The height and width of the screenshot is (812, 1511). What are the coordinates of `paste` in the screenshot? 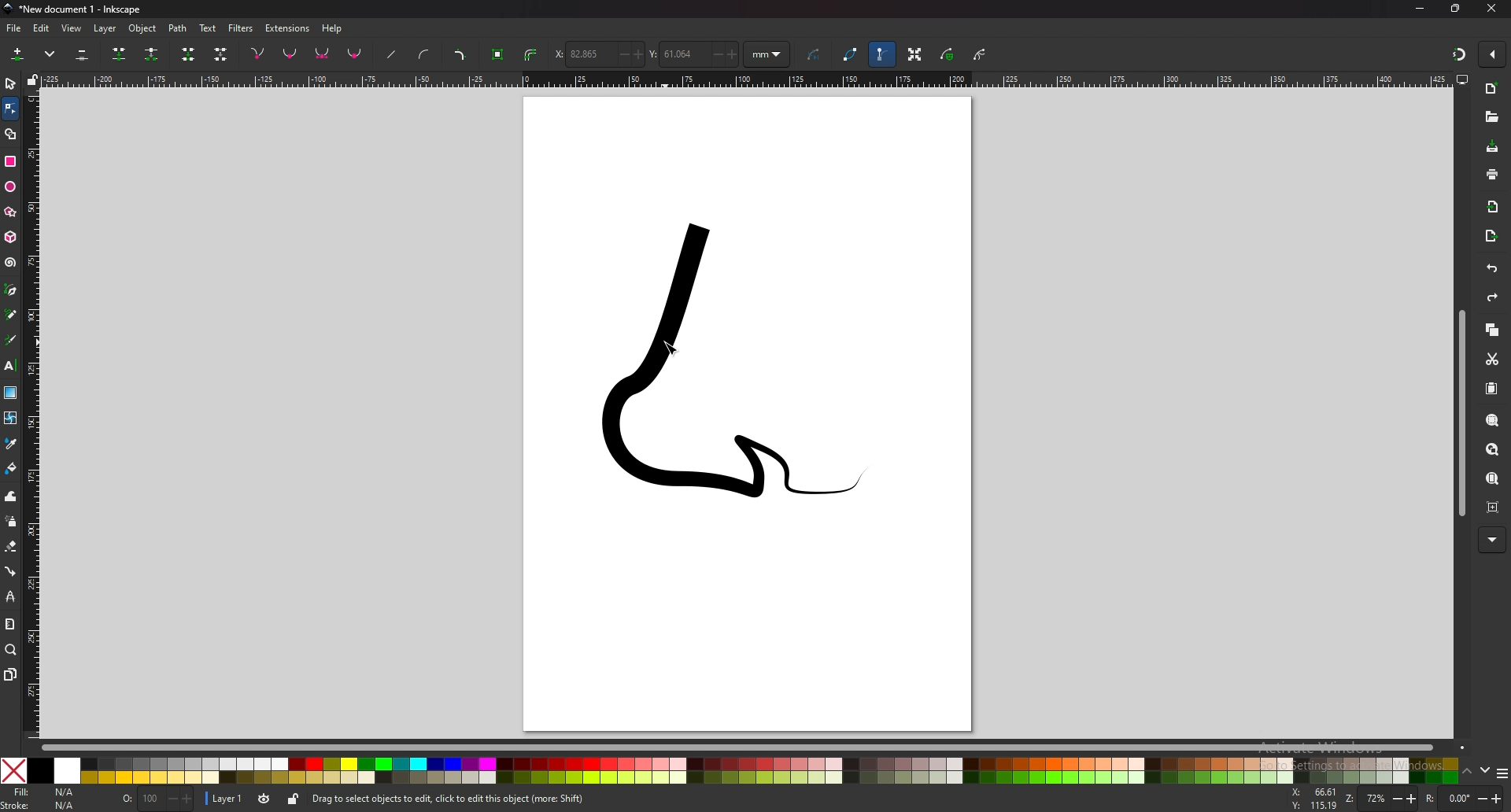 It's located at (1491, 389).